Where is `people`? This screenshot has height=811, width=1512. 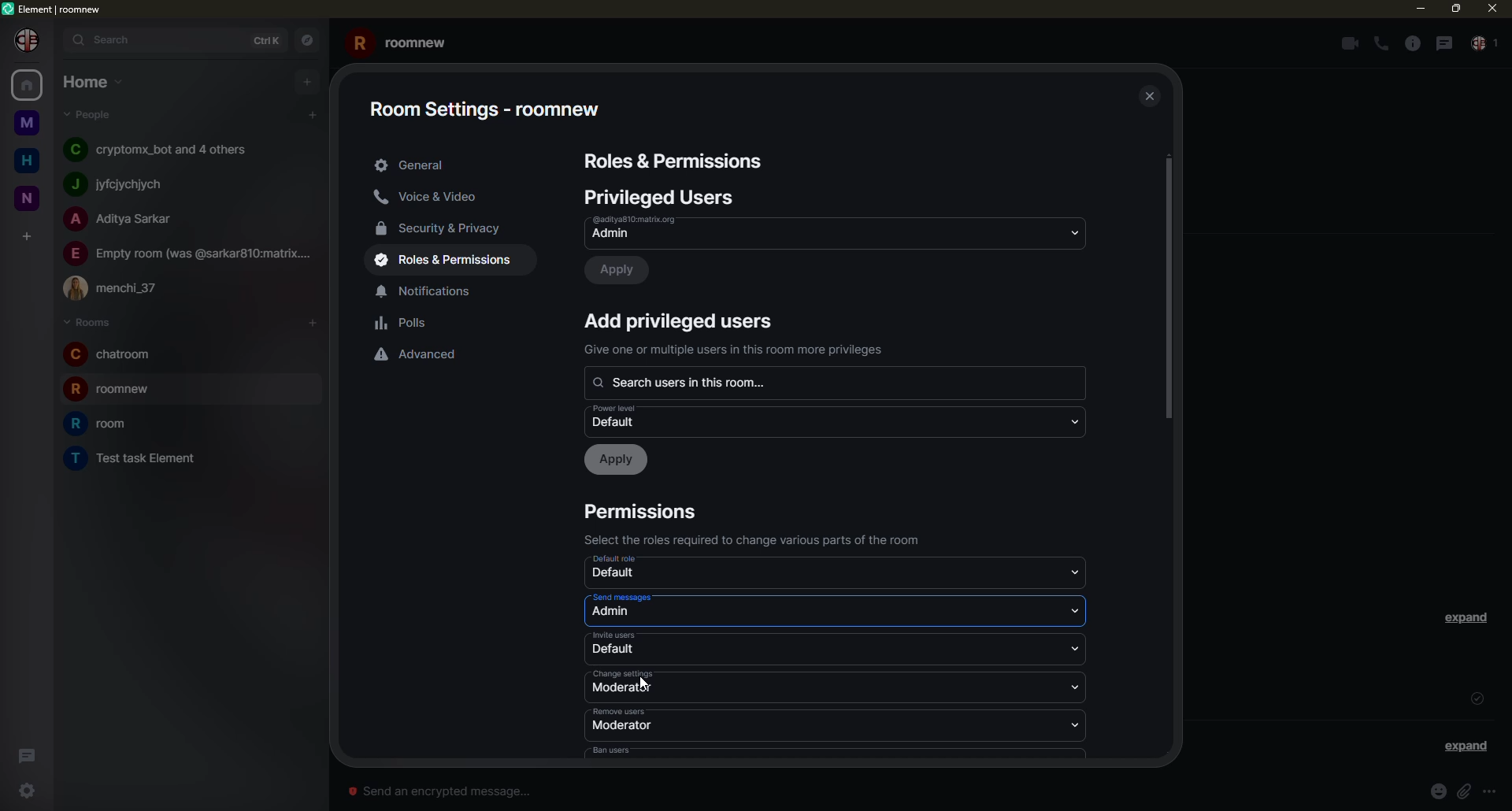
people is located at coordinates (92, 115).